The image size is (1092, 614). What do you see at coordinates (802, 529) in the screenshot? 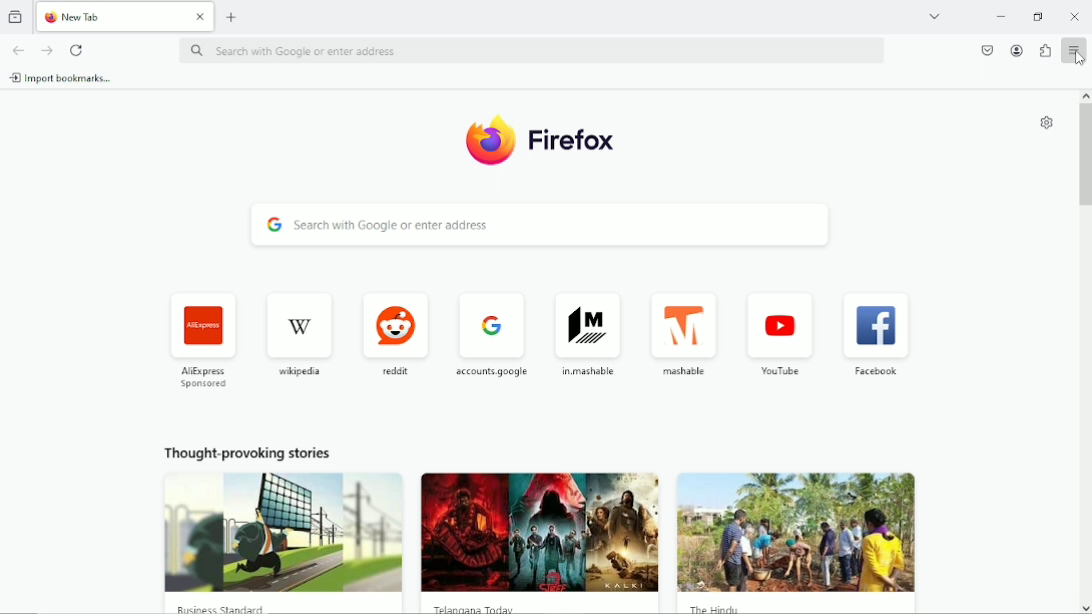
I see `Thought provoking stories` at bounding box center [802, 529].